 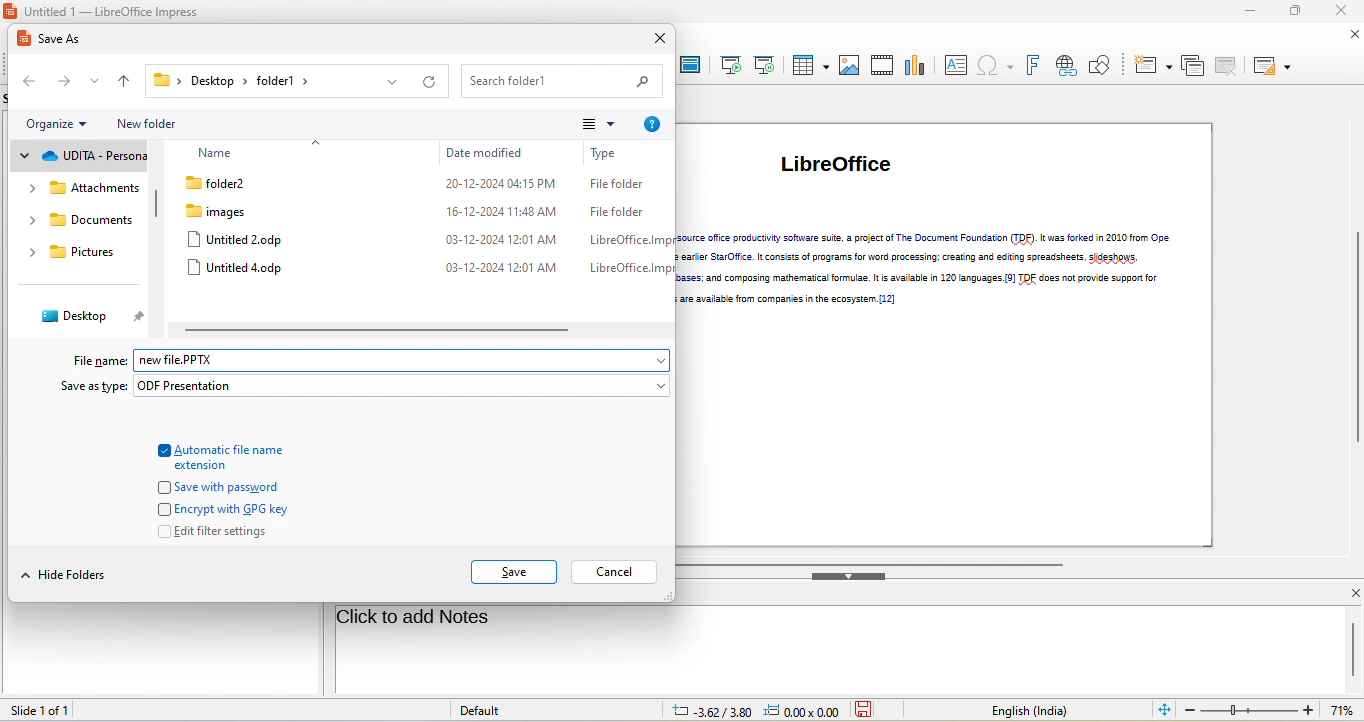 What do you see at coordinates (1028, 709) in the screenshot?
I see `text language` at bounding box center [1028, 709].